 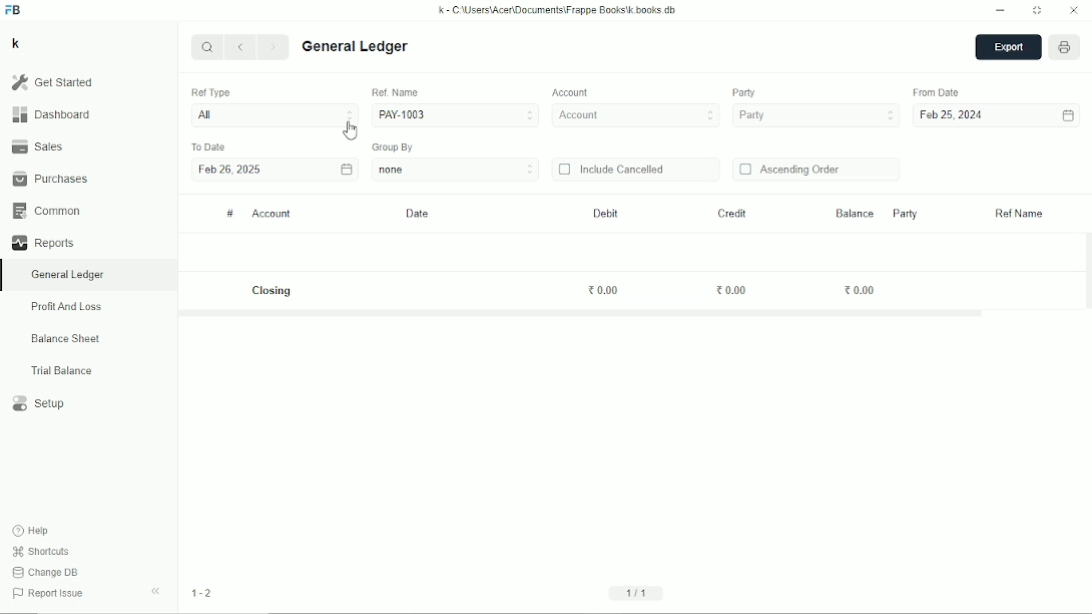 I want to click on Common, so click(x=46, y=211).